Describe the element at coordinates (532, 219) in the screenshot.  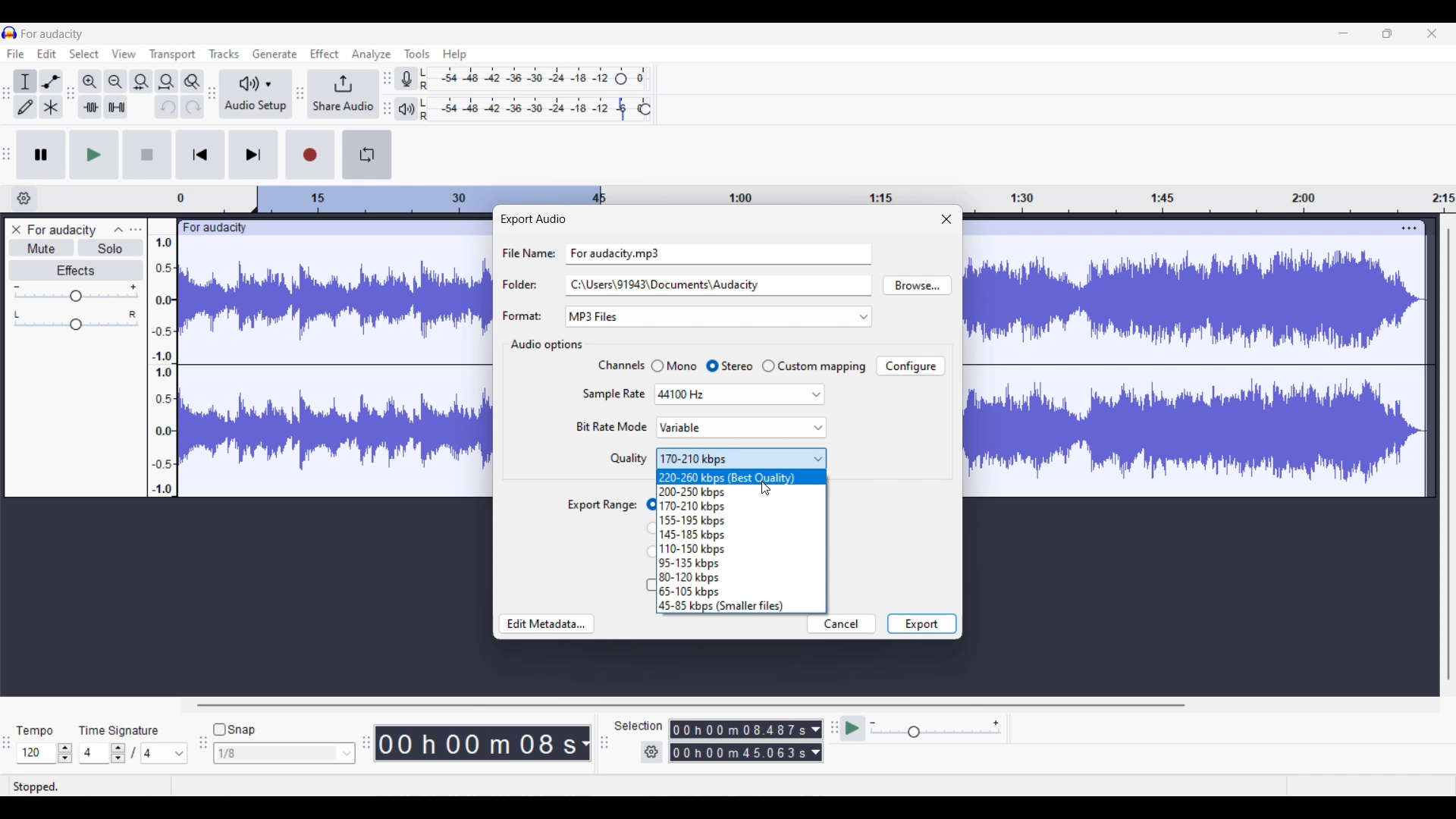
I see `Window title` at that location.